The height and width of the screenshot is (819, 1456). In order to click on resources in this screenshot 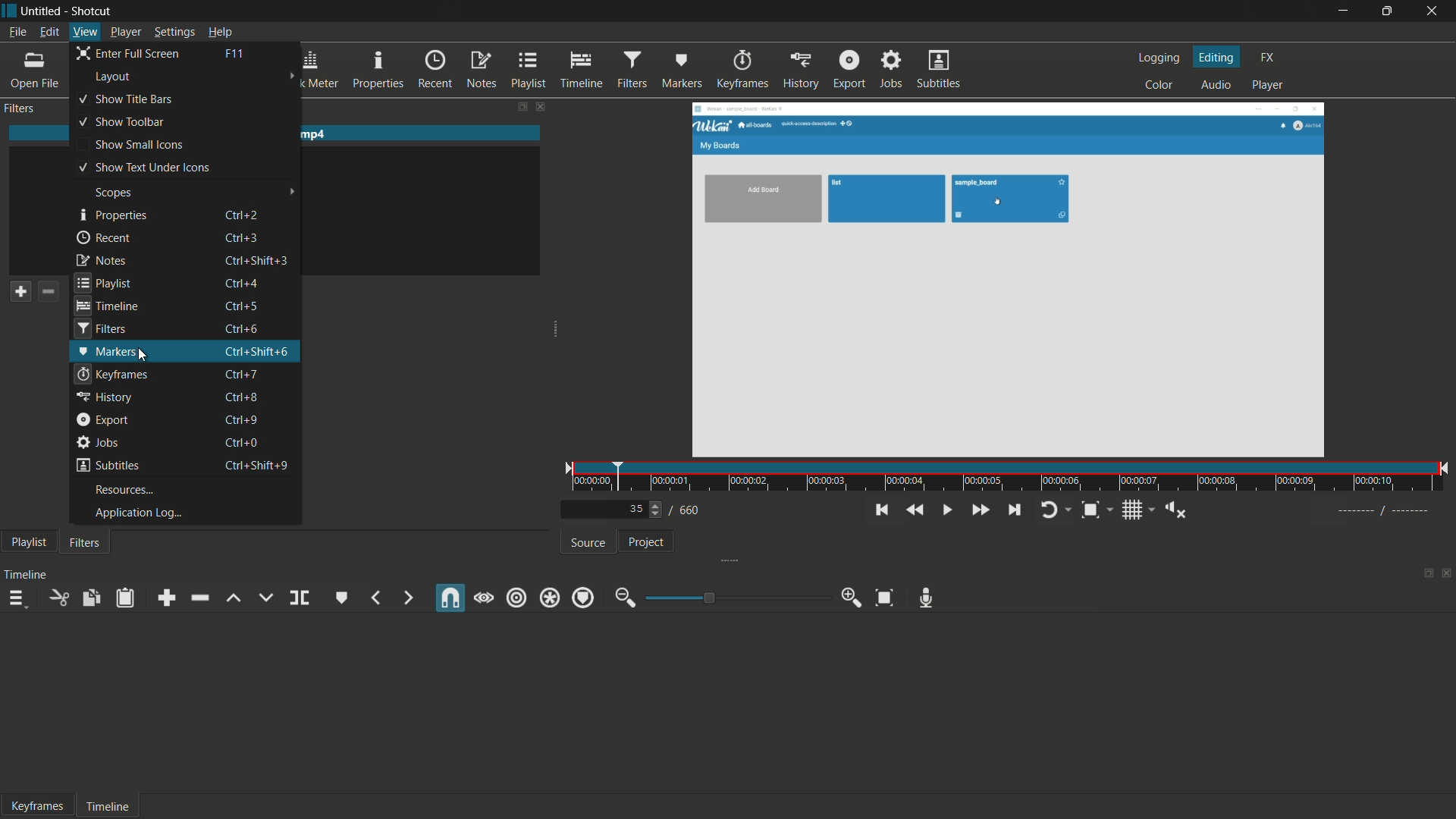, I will do `click(125, 490)`.